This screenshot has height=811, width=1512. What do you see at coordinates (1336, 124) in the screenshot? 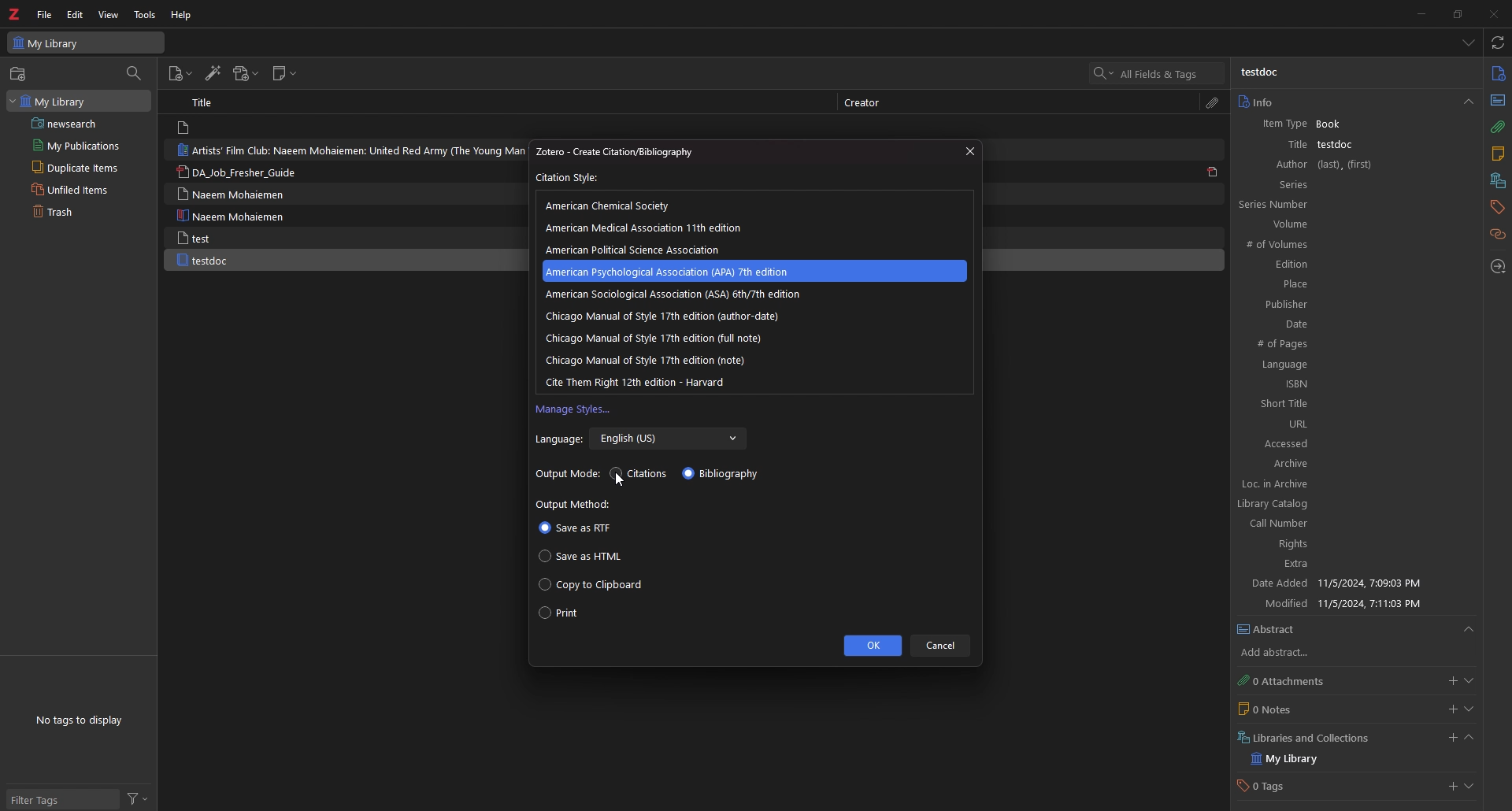
I see `Book` at bounding box center [1336, 124].